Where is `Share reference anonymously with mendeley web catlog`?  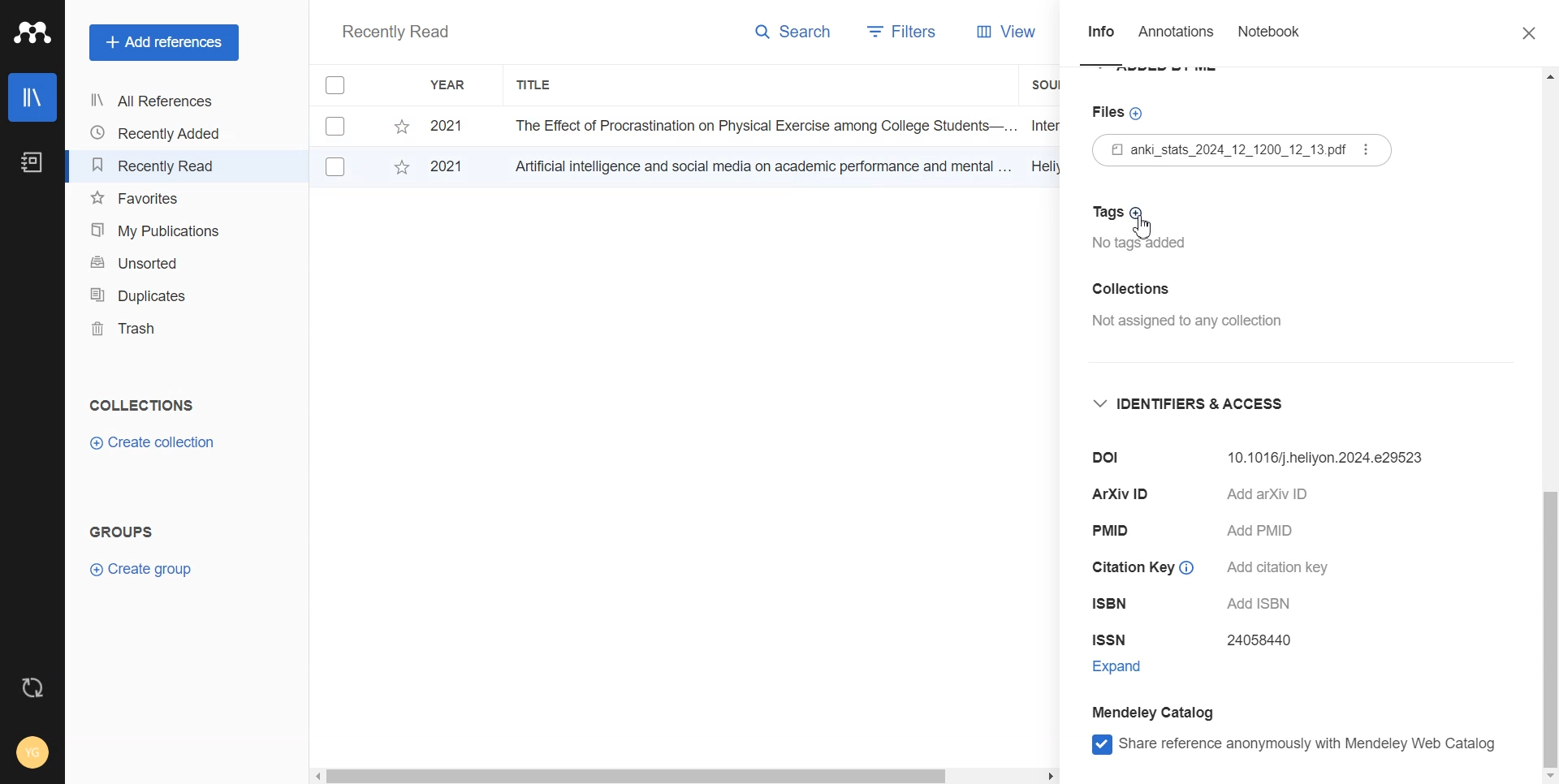 Share reference anonymously with mendeley web catlog is located at coordinates (1301, 745).